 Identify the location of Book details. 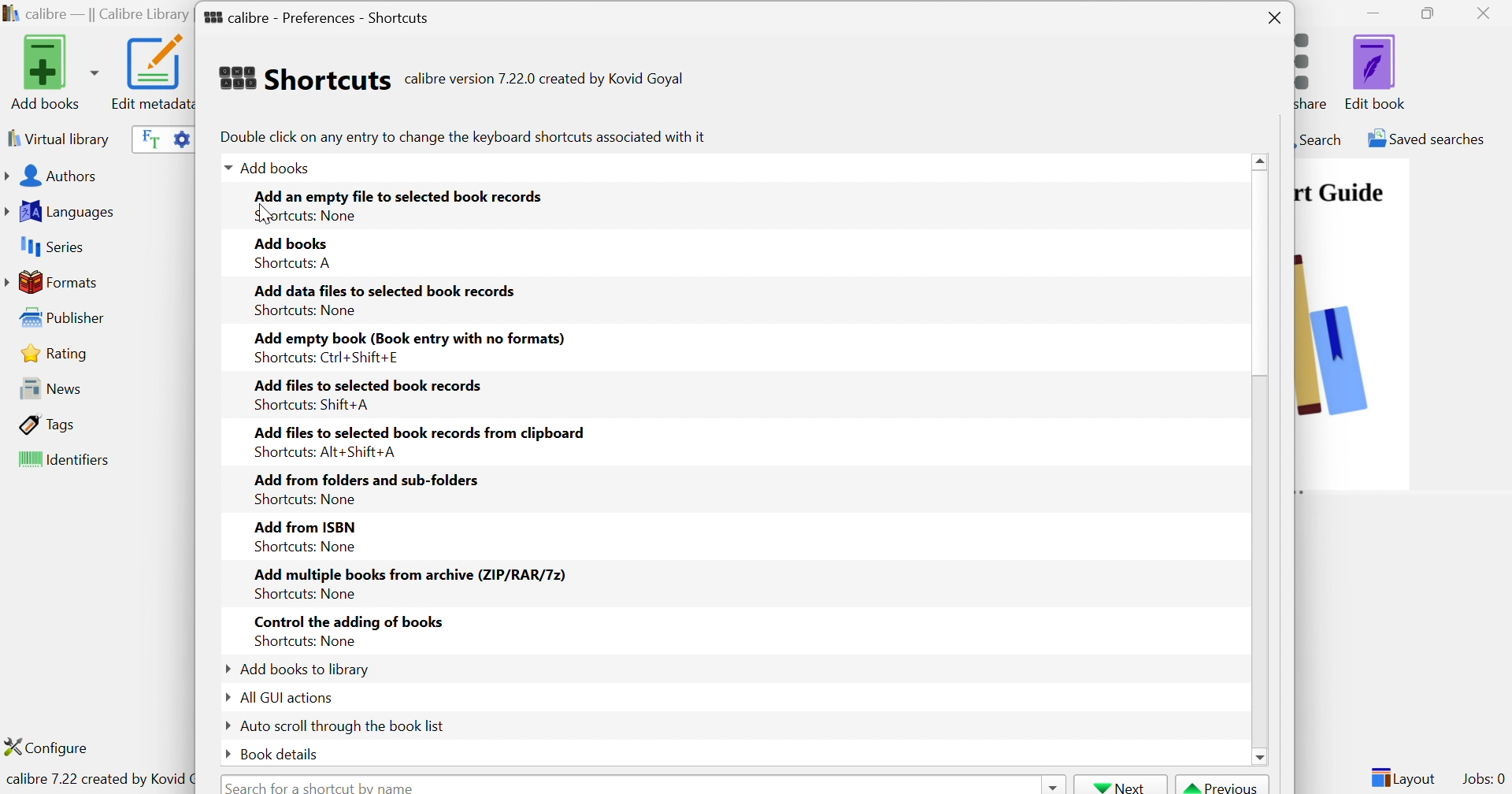
(280, 754).